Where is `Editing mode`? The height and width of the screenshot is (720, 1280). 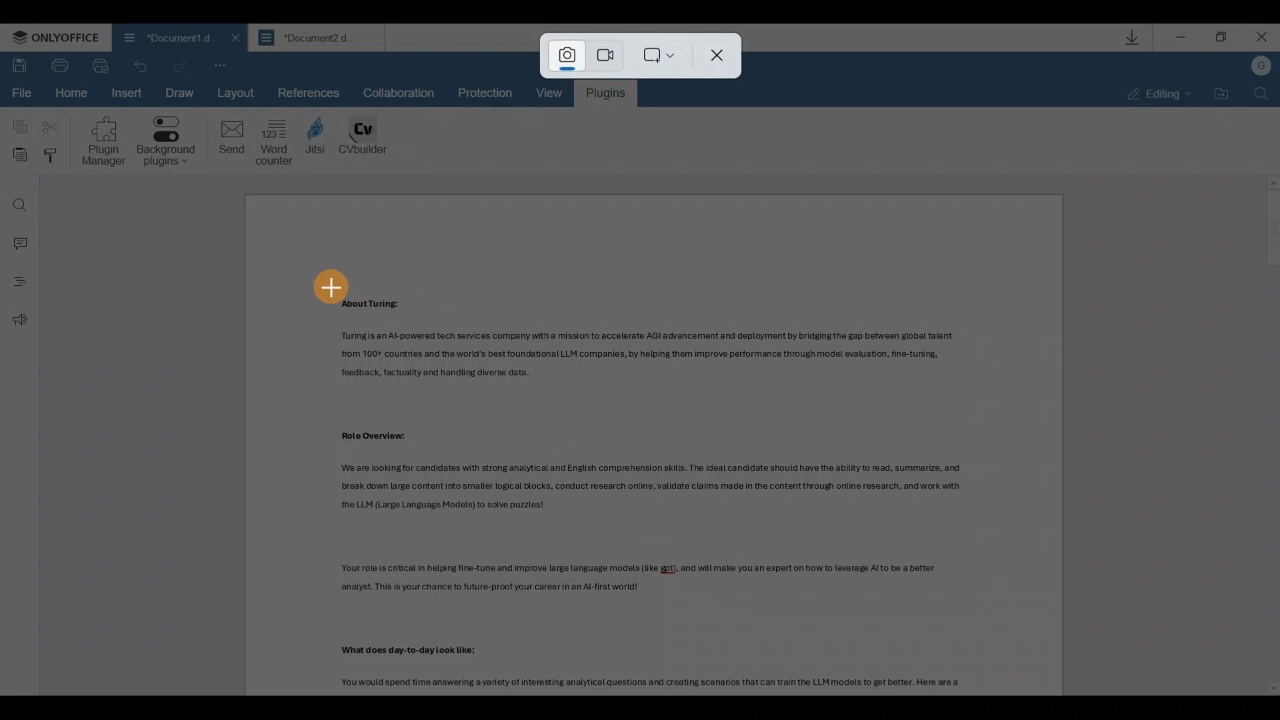 Editing mode is located at coordinates (1153, 94).